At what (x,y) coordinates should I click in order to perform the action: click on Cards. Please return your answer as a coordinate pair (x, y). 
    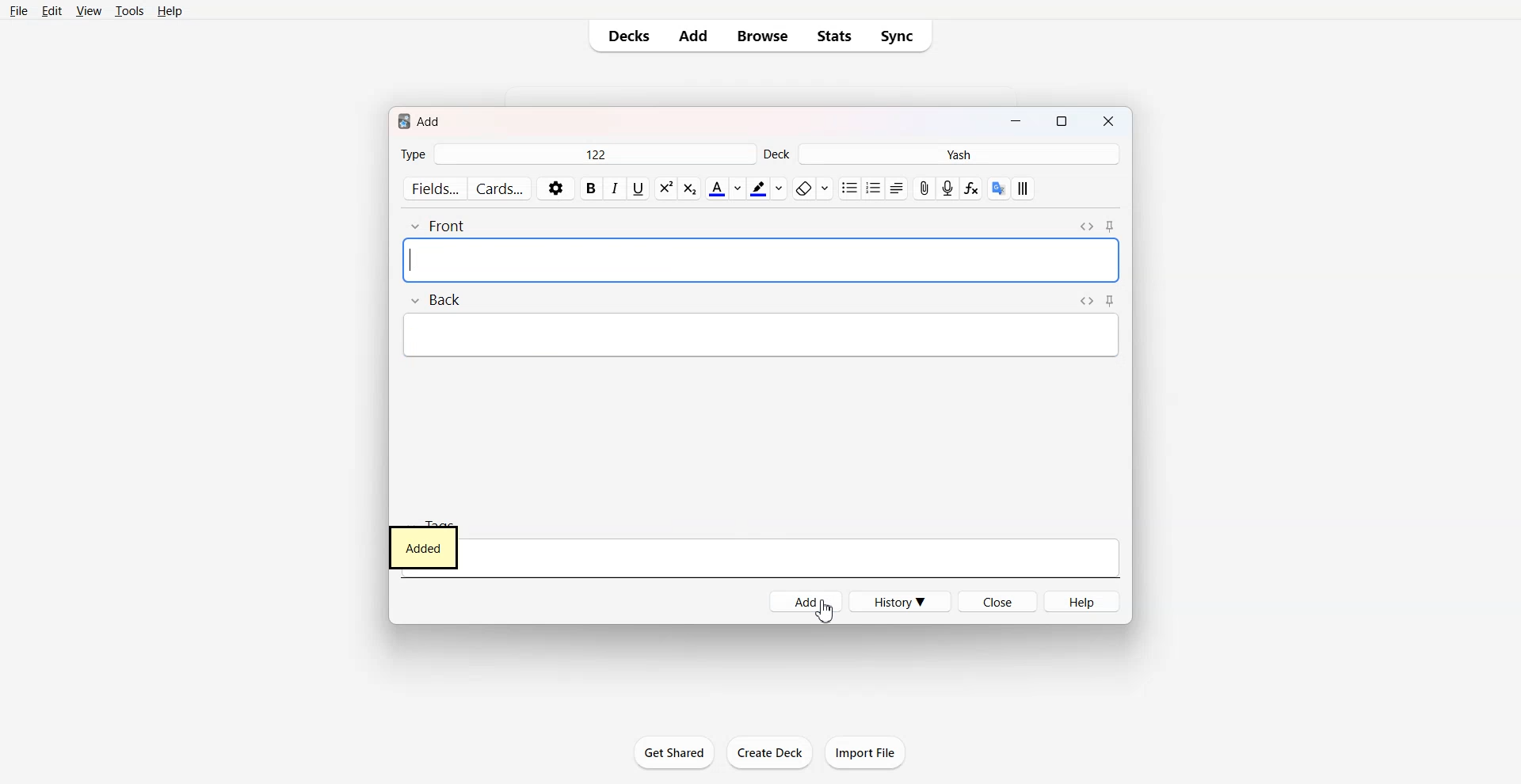
    Looking at the image, I should click on (501, 188).